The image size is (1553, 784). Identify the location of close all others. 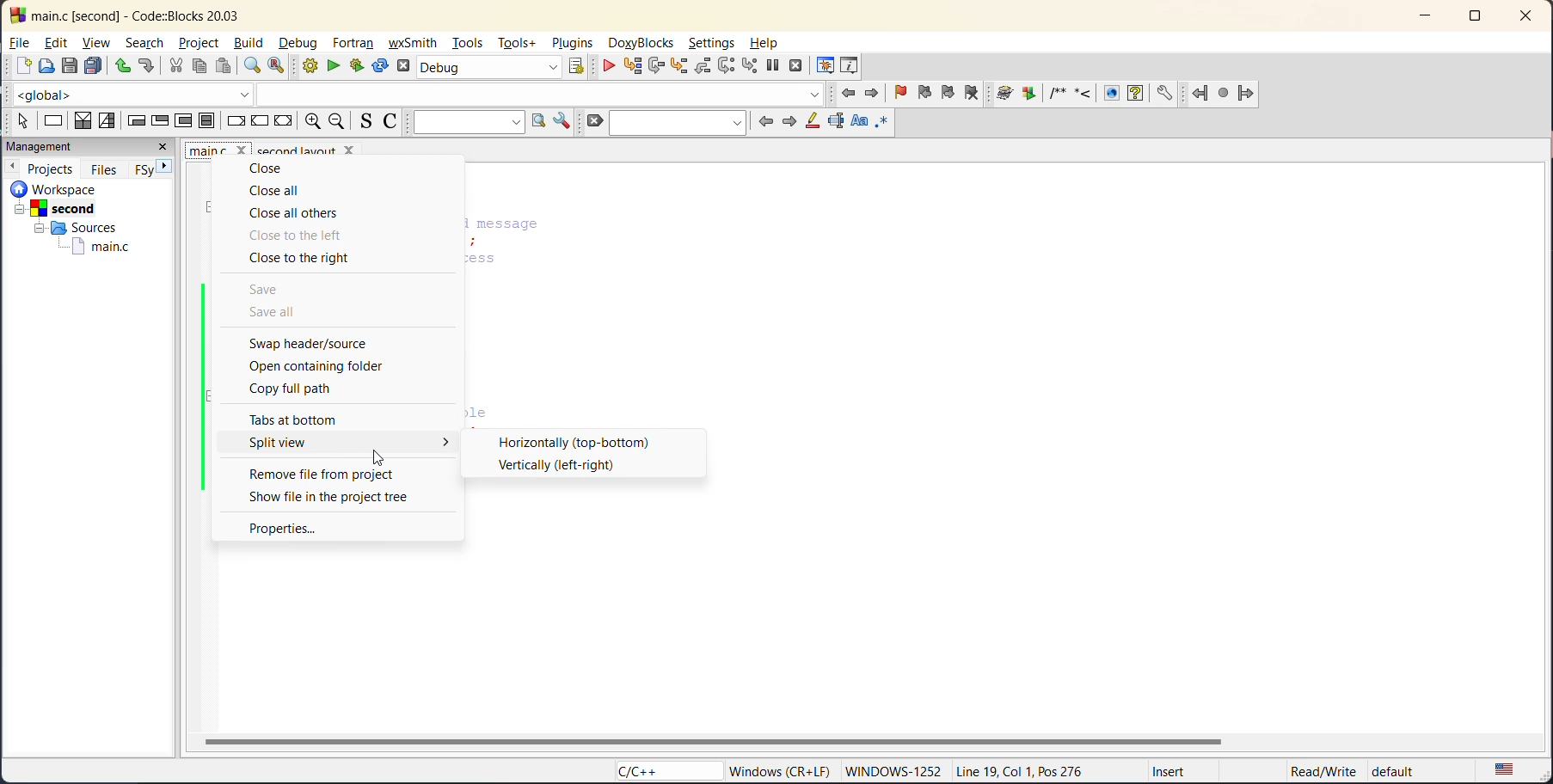
(296, 214).